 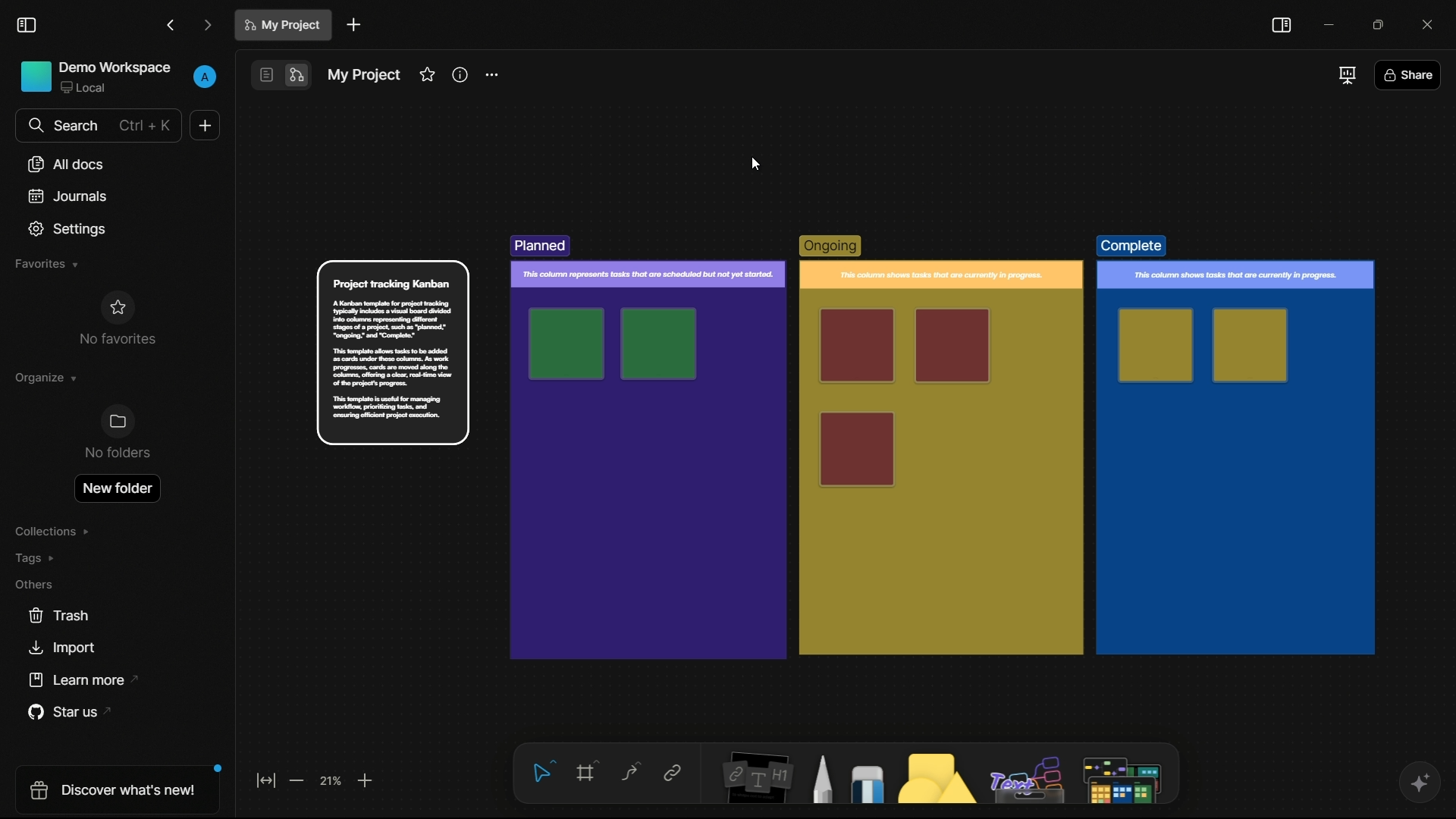 What do you see at coordinates (1345, 74) in the screenshot?
I see `full screen` at bounding box center [1345, 74].